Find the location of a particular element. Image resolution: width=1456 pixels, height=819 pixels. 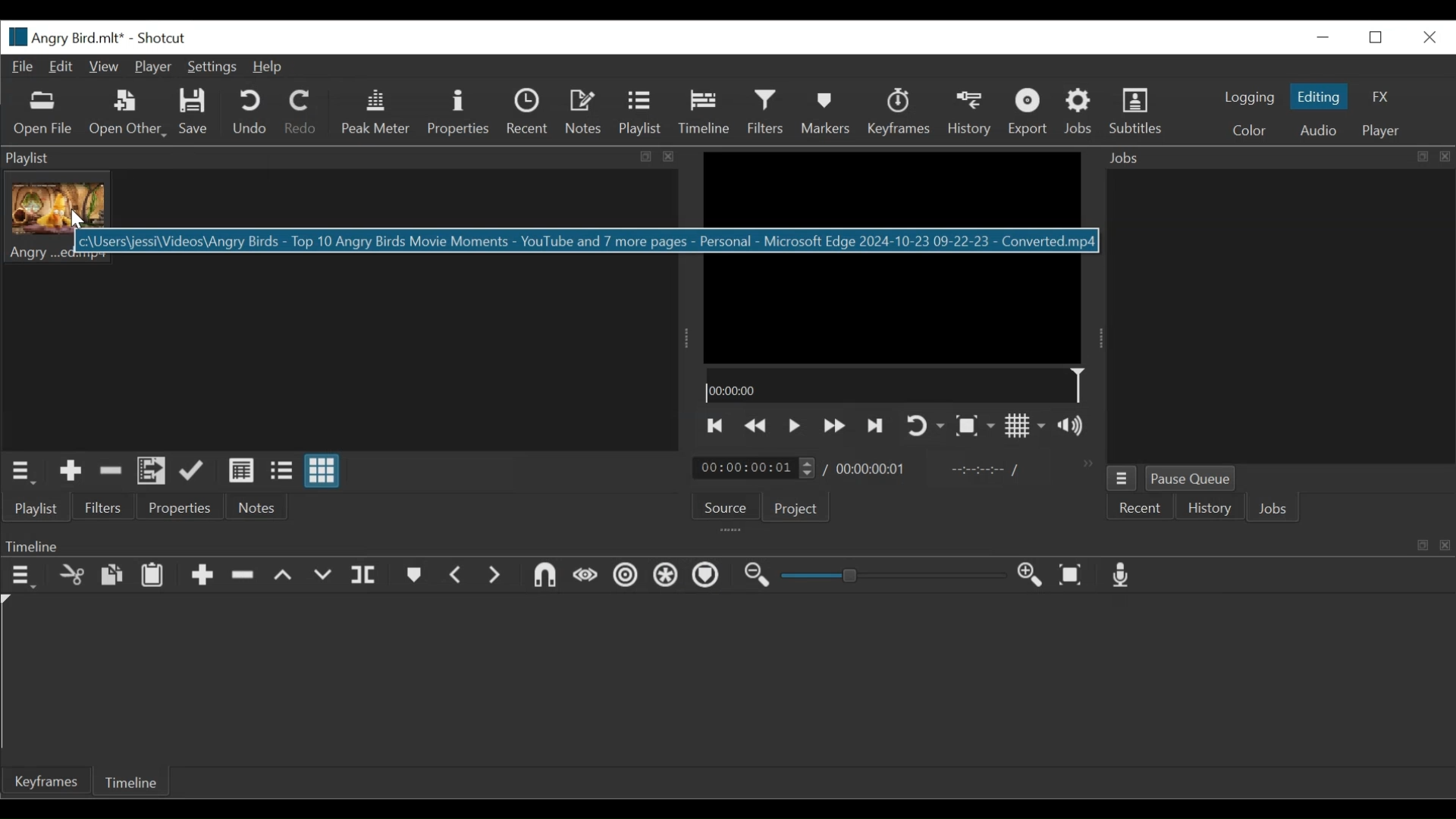

History is located at coordinates (971, 115).